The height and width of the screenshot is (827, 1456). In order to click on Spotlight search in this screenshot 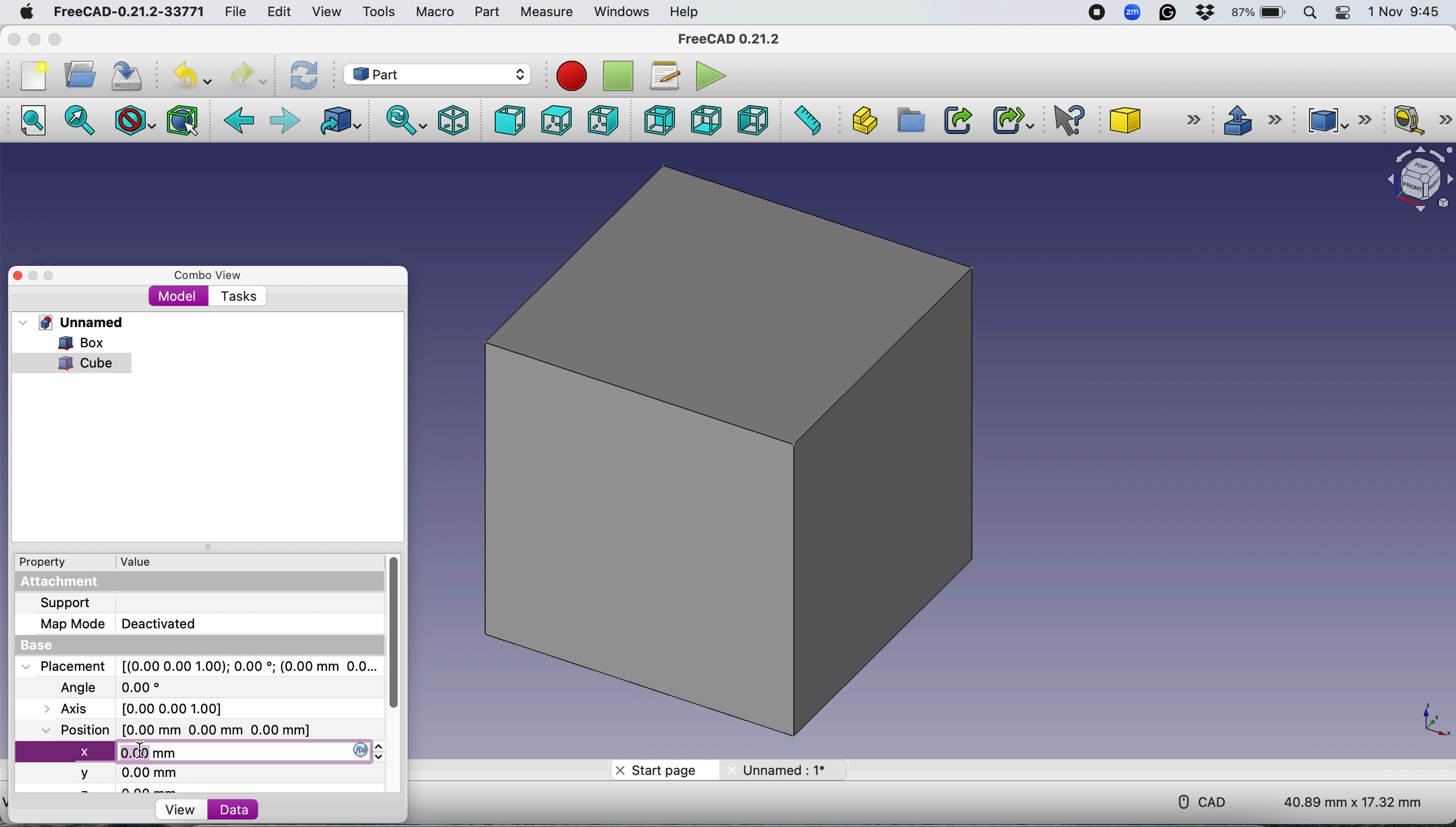, I will do `click(1313, 12)`.